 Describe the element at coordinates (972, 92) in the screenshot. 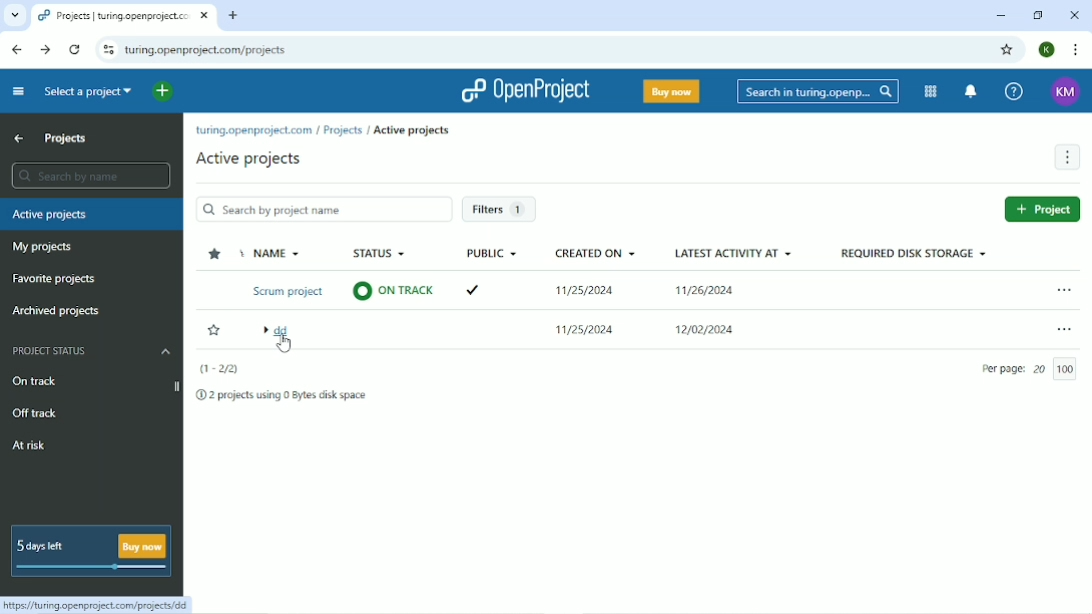

I see `notification` at that location.